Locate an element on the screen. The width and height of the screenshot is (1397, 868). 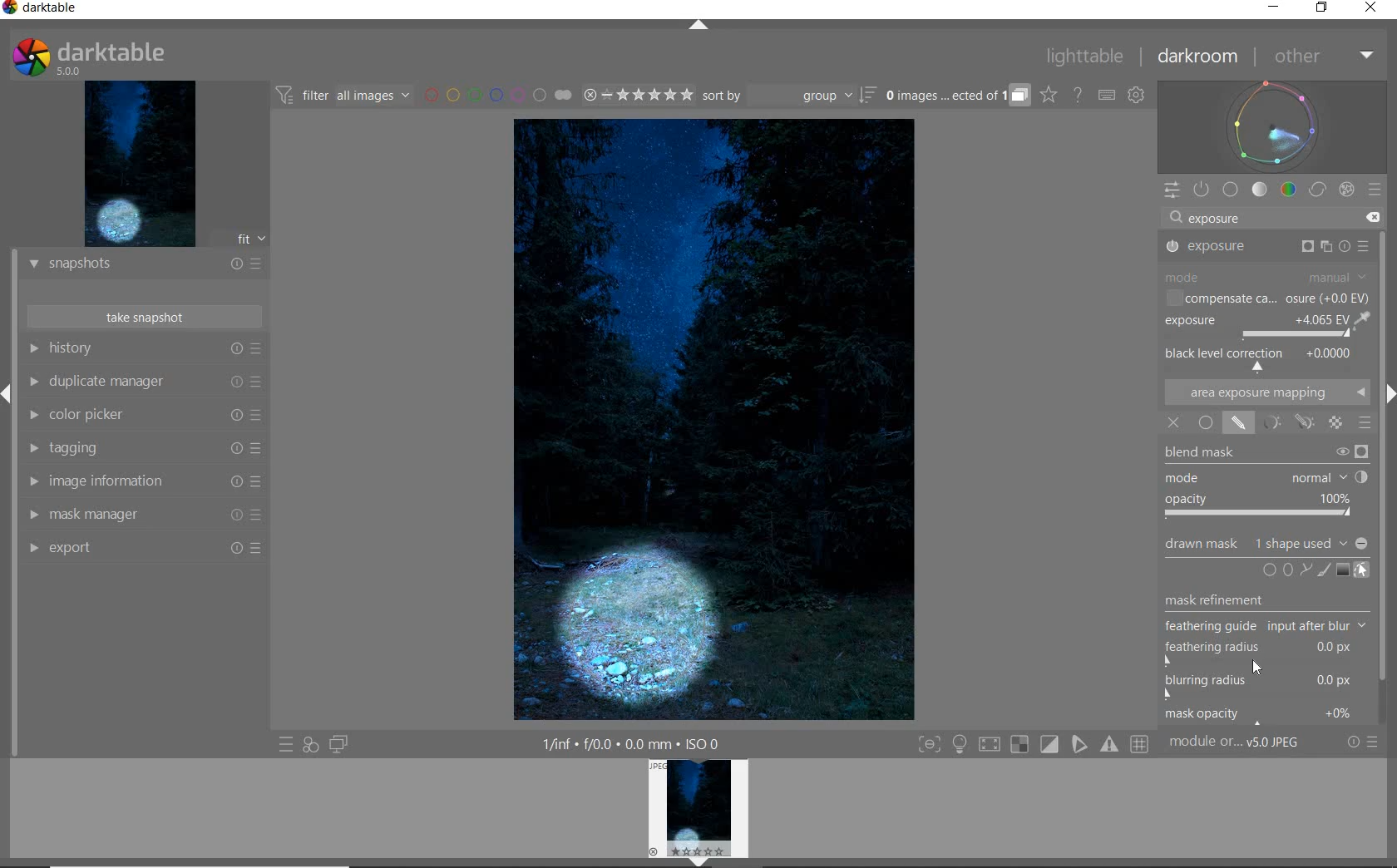
ADD CIRCLE is located at coordinates (1271, 572).